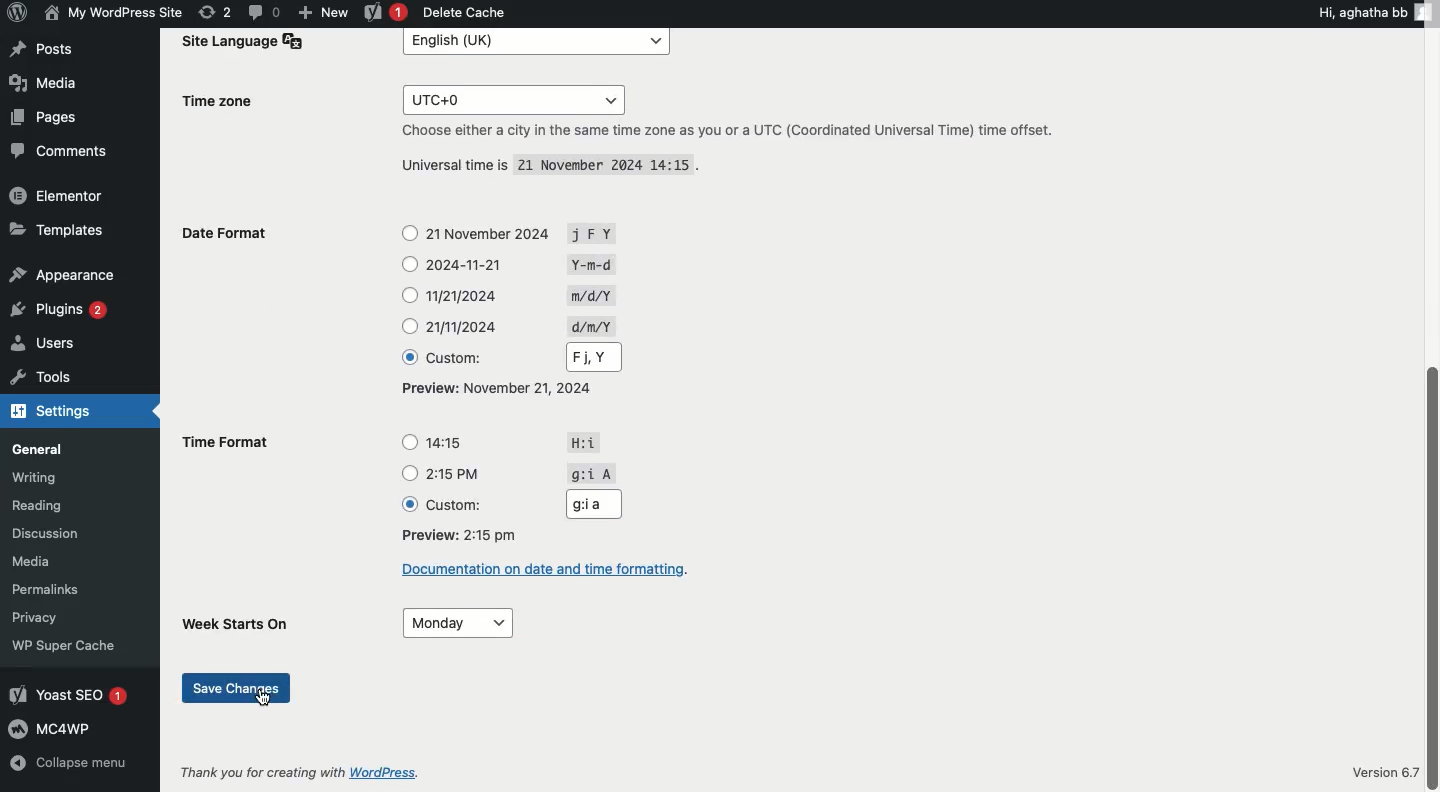 Image resolution: width=1440 pixels, height=792 pixels. Describe the element at coordinates (520, 296) in the screenshot. I see `11/21/2024 m/d/Y` at that location.